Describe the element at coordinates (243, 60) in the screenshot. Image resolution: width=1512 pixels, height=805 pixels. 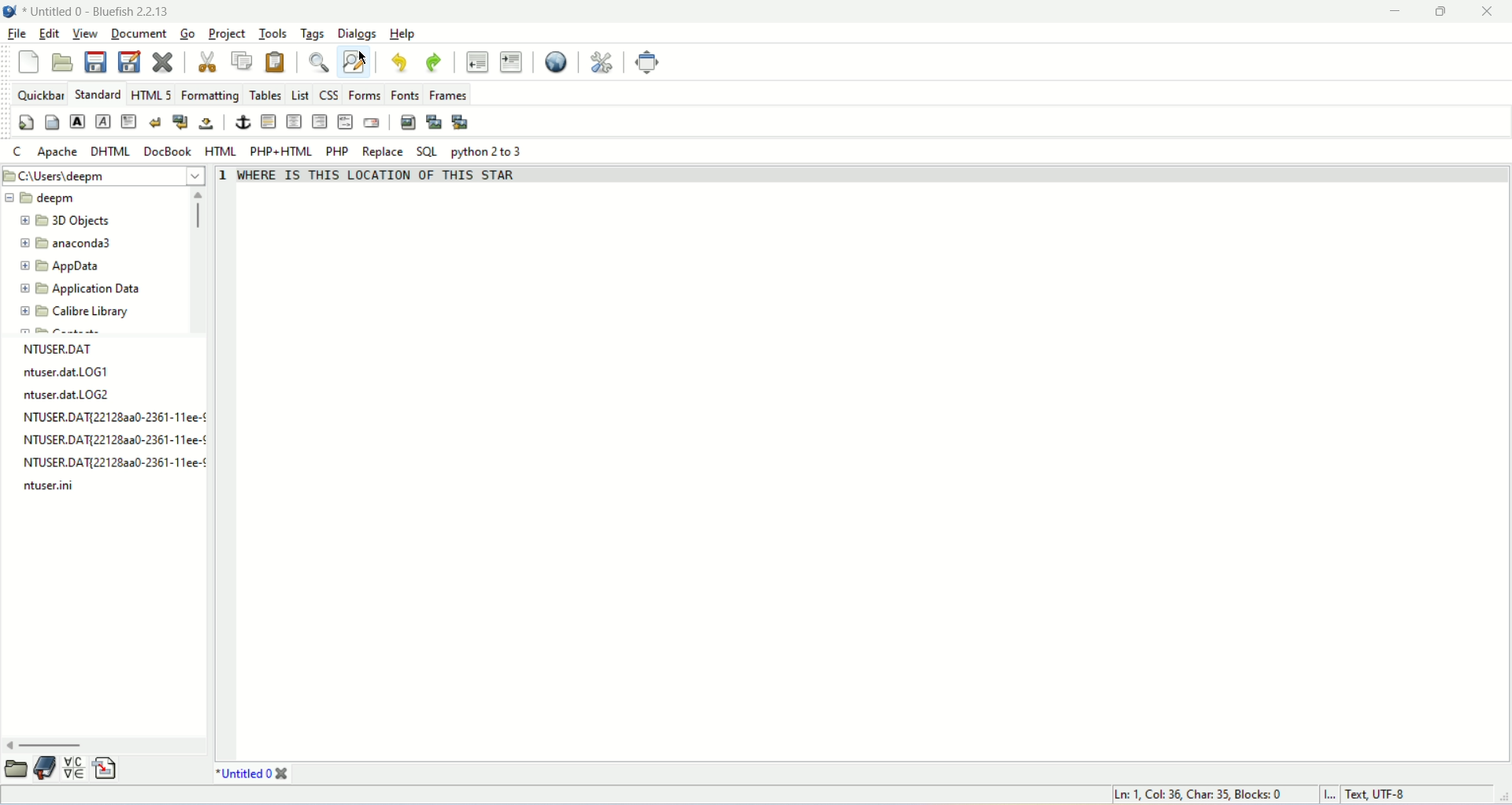
I see `copy` at that location.